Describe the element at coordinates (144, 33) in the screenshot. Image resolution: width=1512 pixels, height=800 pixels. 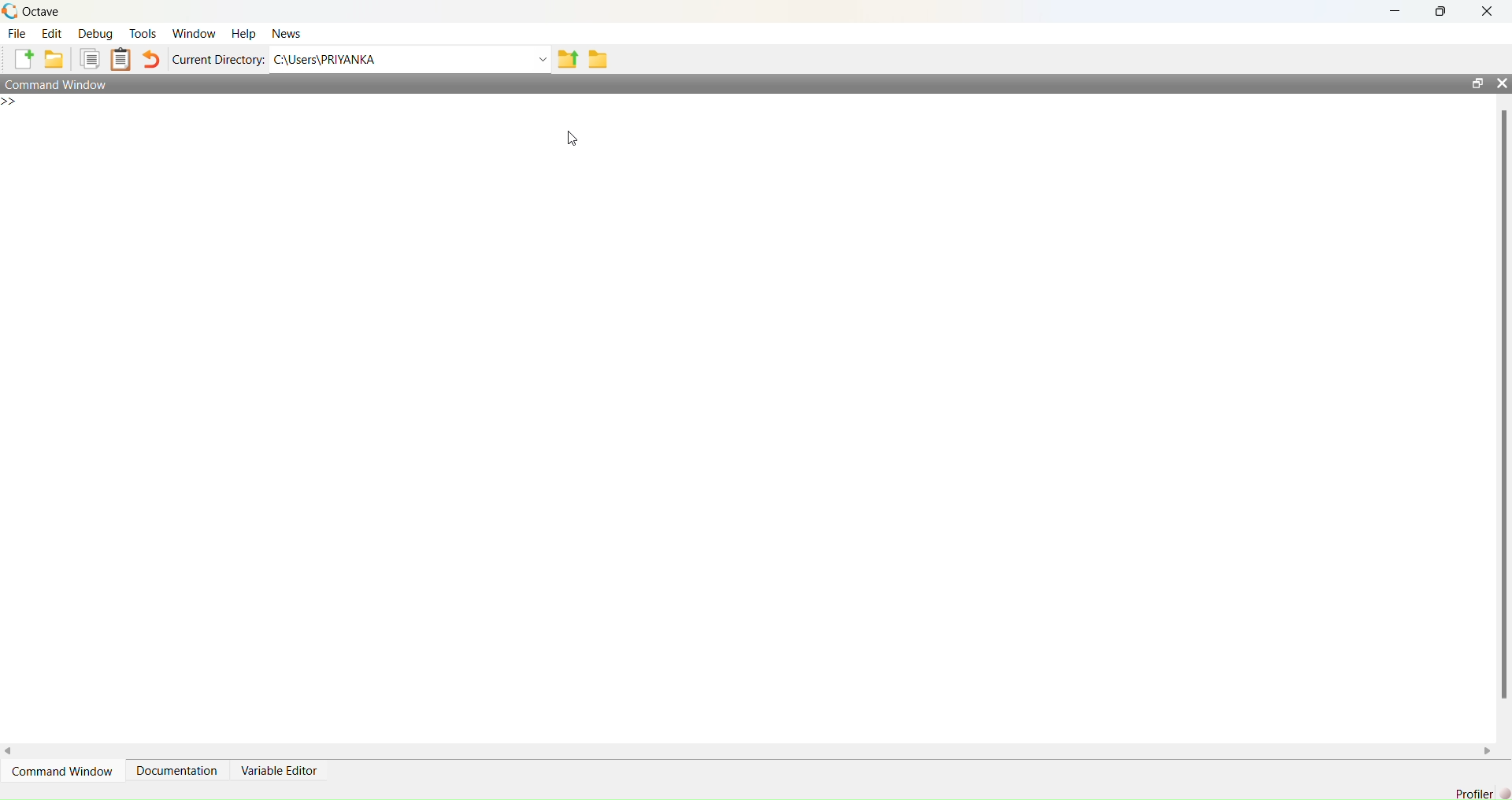
I see `Tools` at that location.